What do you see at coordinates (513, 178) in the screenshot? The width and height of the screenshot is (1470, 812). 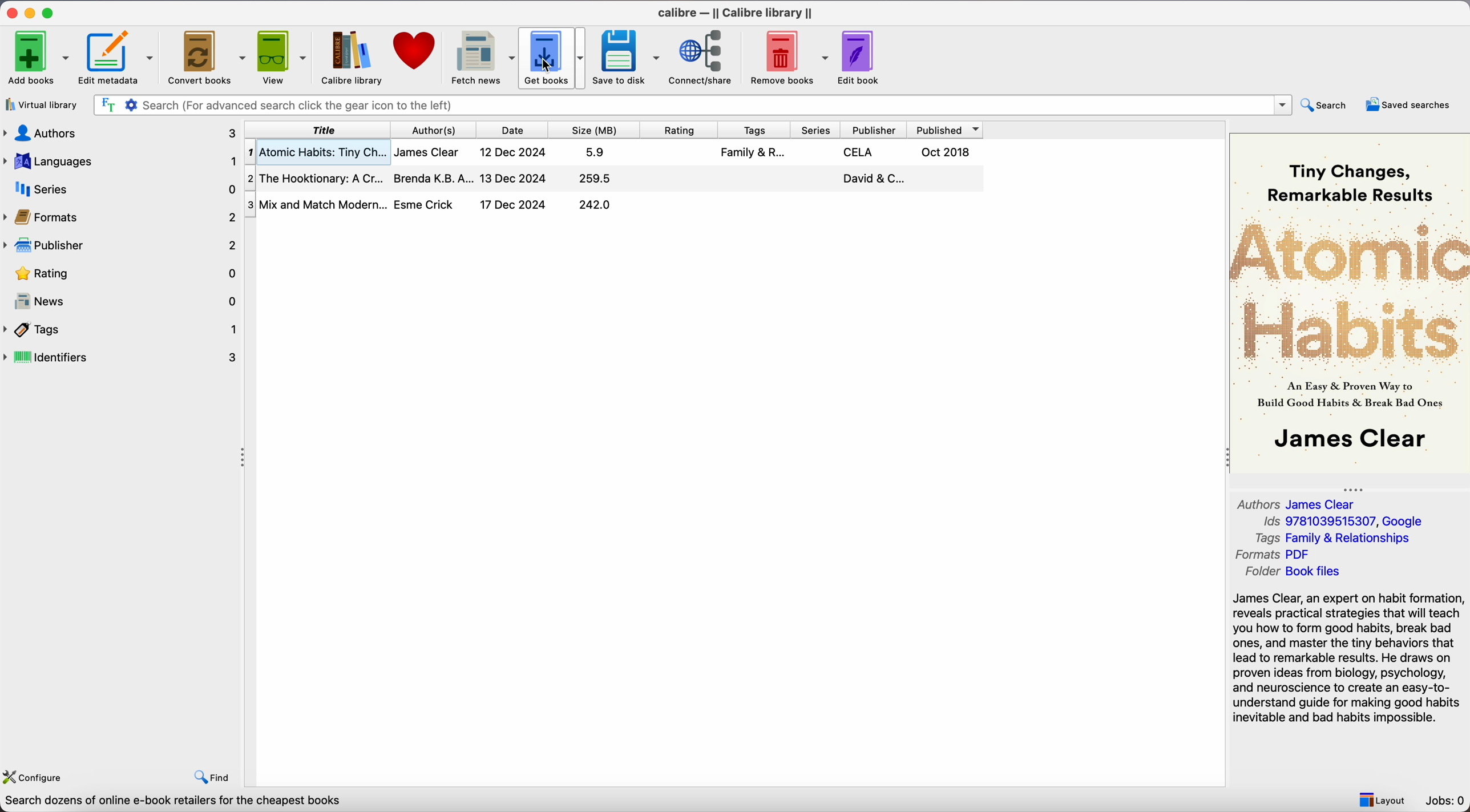 I see `13 Dec 2024` at bounding box center [513, 178].